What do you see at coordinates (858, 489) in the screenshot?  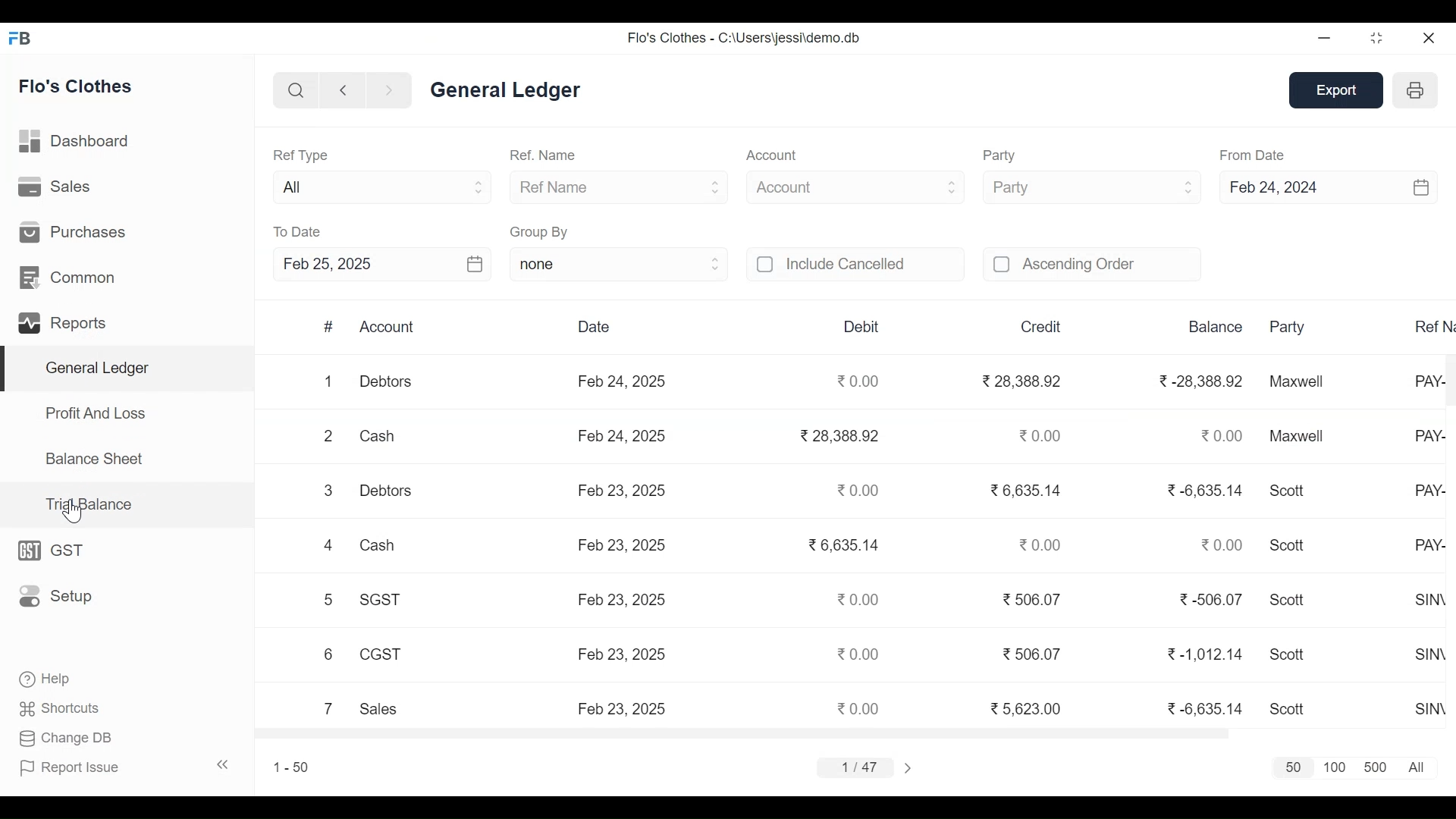 I see `0.00` at bounding box center [858, 489].